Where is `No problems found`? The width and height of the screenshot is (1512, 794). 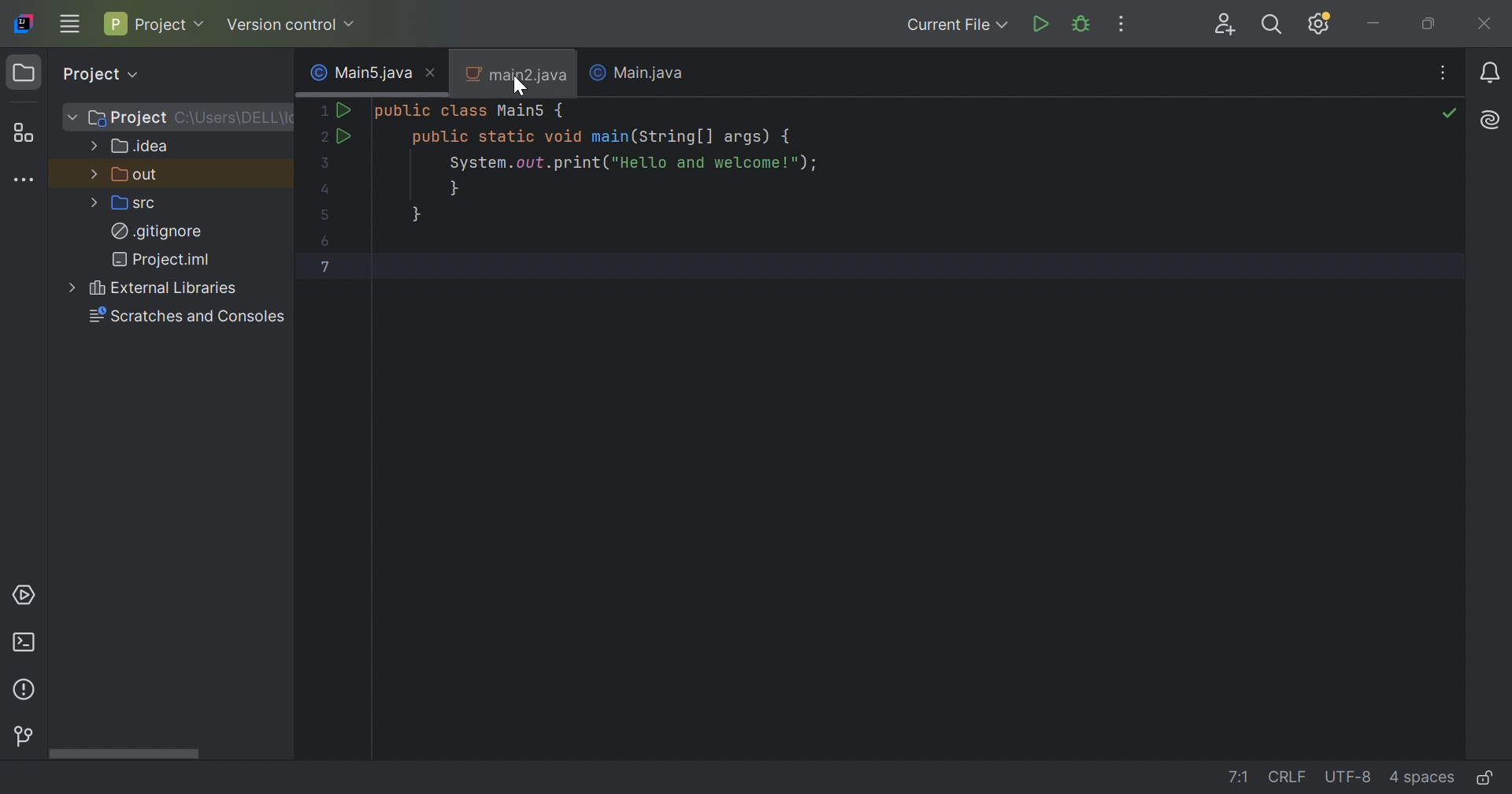
No problems found is located at coordinates (1450, 113).